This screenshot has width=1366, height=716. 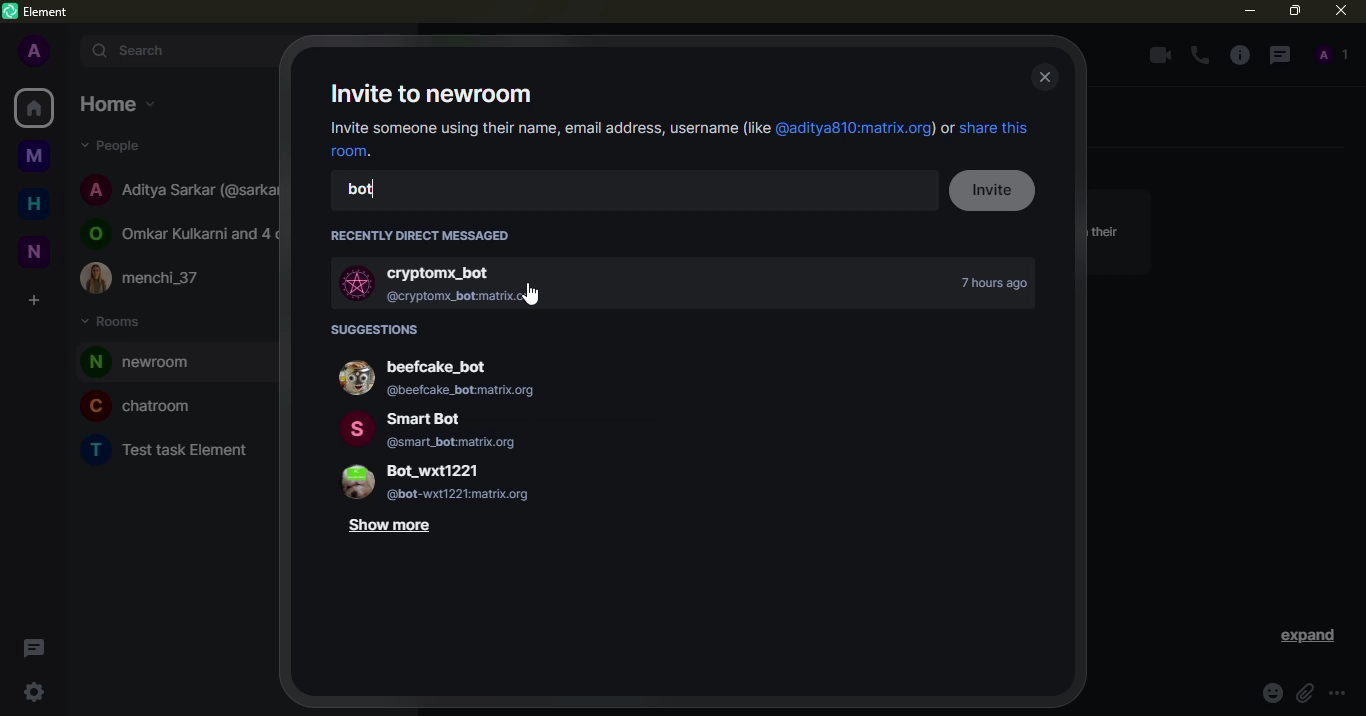 I want to click on info, so click(x=1239, y=56).